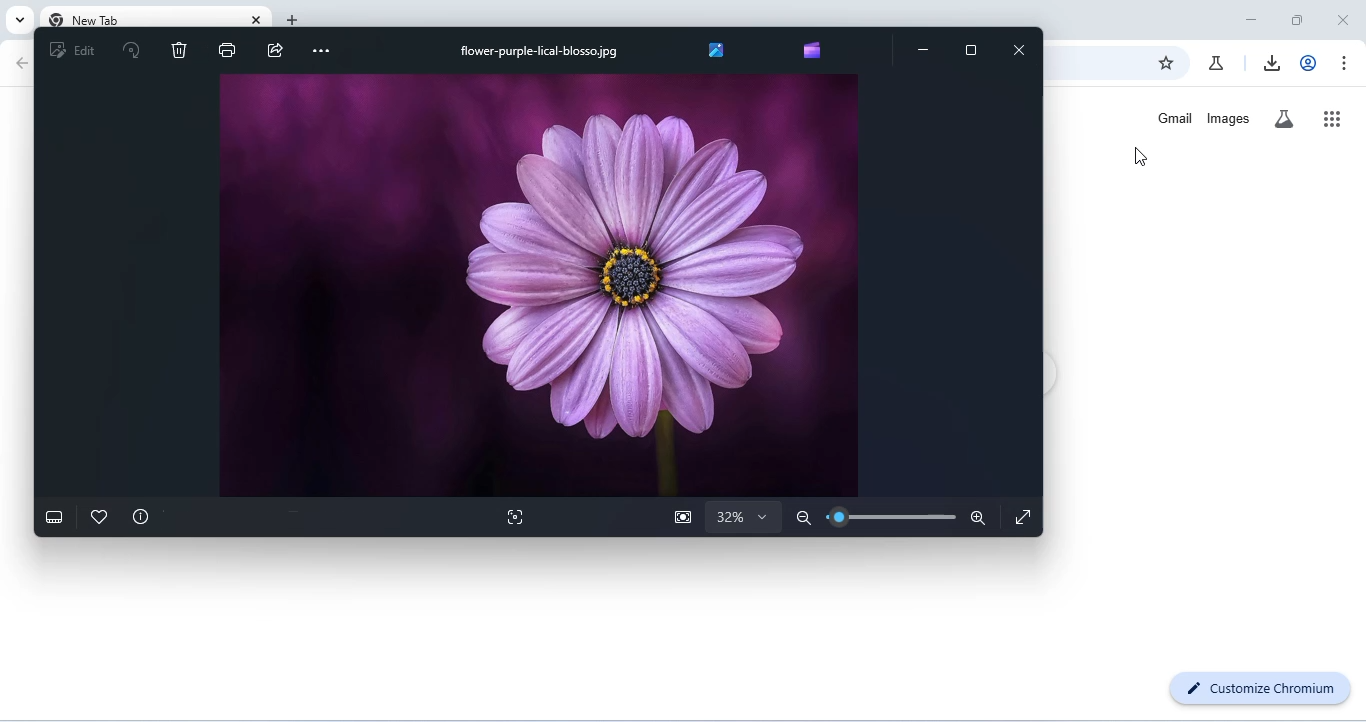 The image size is (1366, 722). What do you see at coordinates (279, 51) in the screenshot?
I see `share` at bounding box center [279, 51].